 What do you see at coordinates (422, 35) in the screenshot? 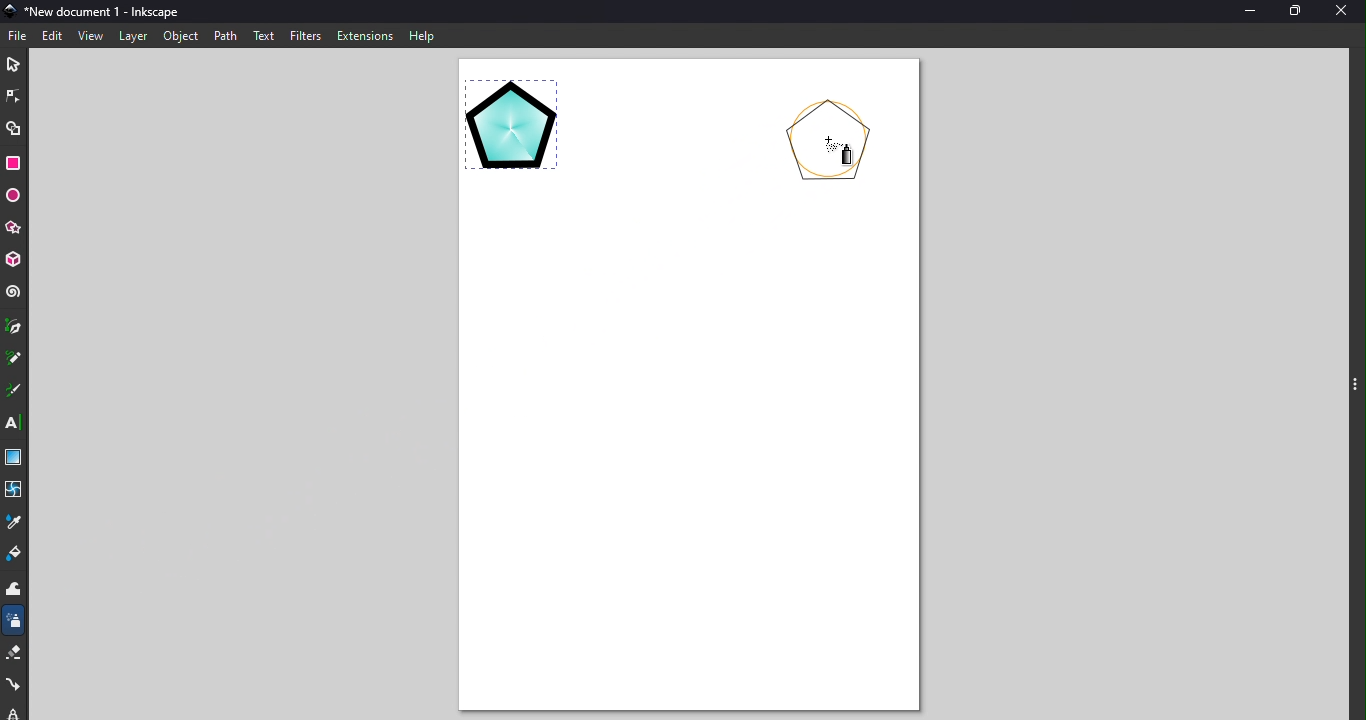
I see `Help` at bounding box center [422, 35].